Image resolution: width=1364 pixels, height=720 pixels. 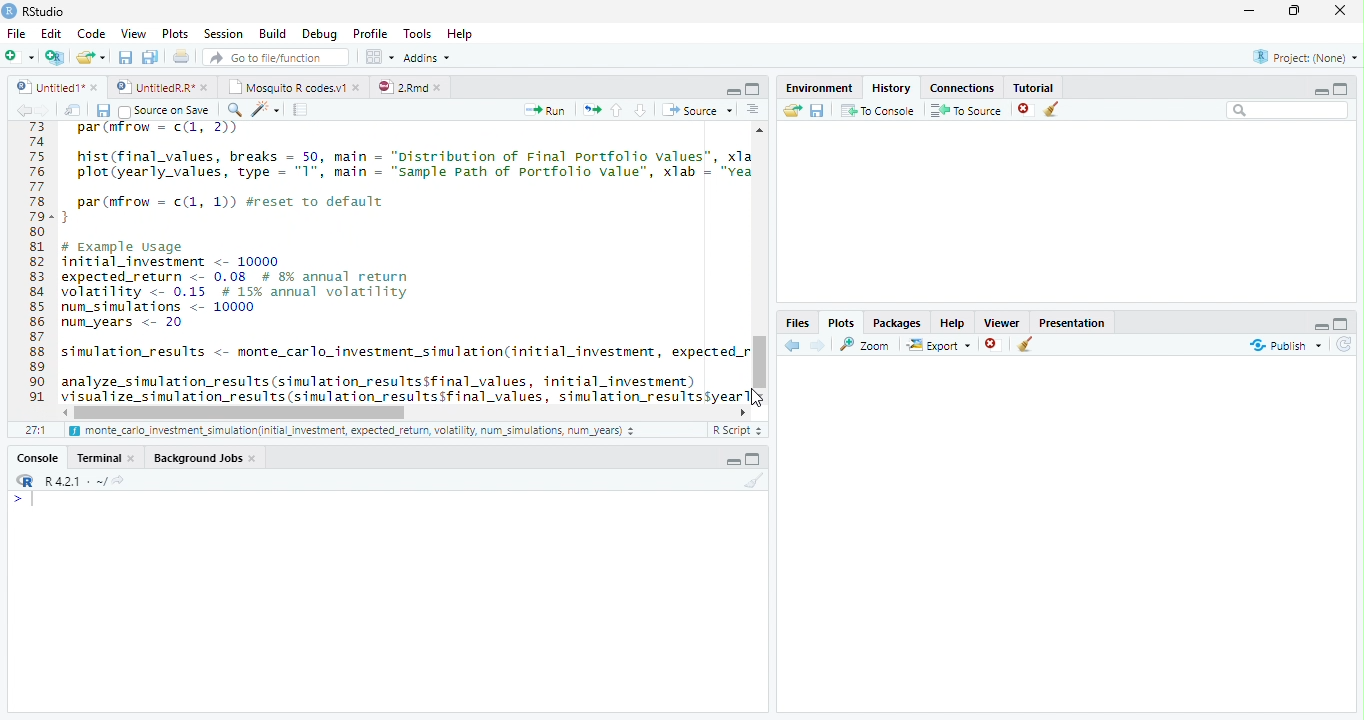 I want to click on , so click(x=732, y=89).